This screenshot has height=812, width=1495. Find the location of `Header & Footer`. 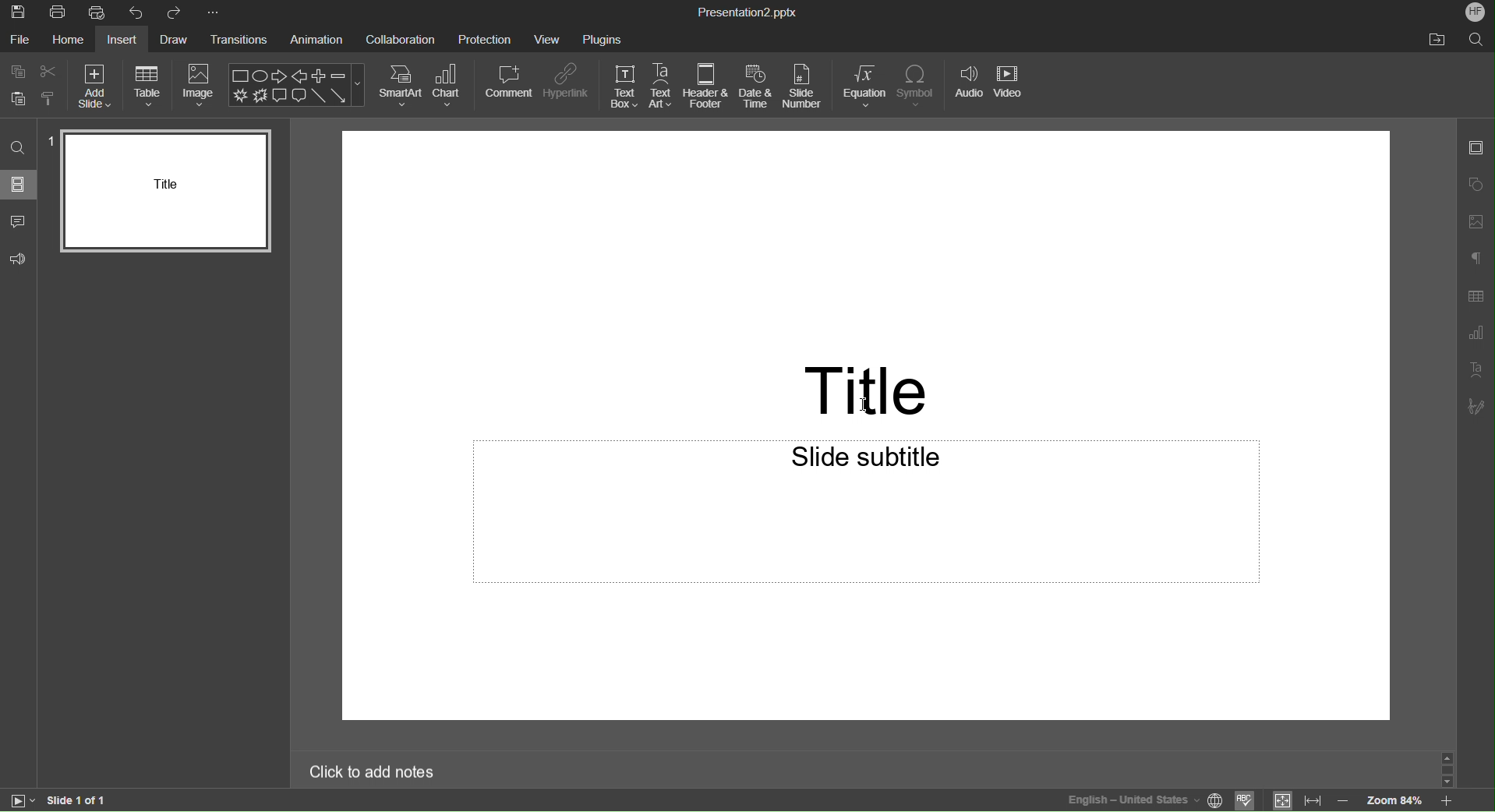

Header & Footer is located at coordinates (707, 86).